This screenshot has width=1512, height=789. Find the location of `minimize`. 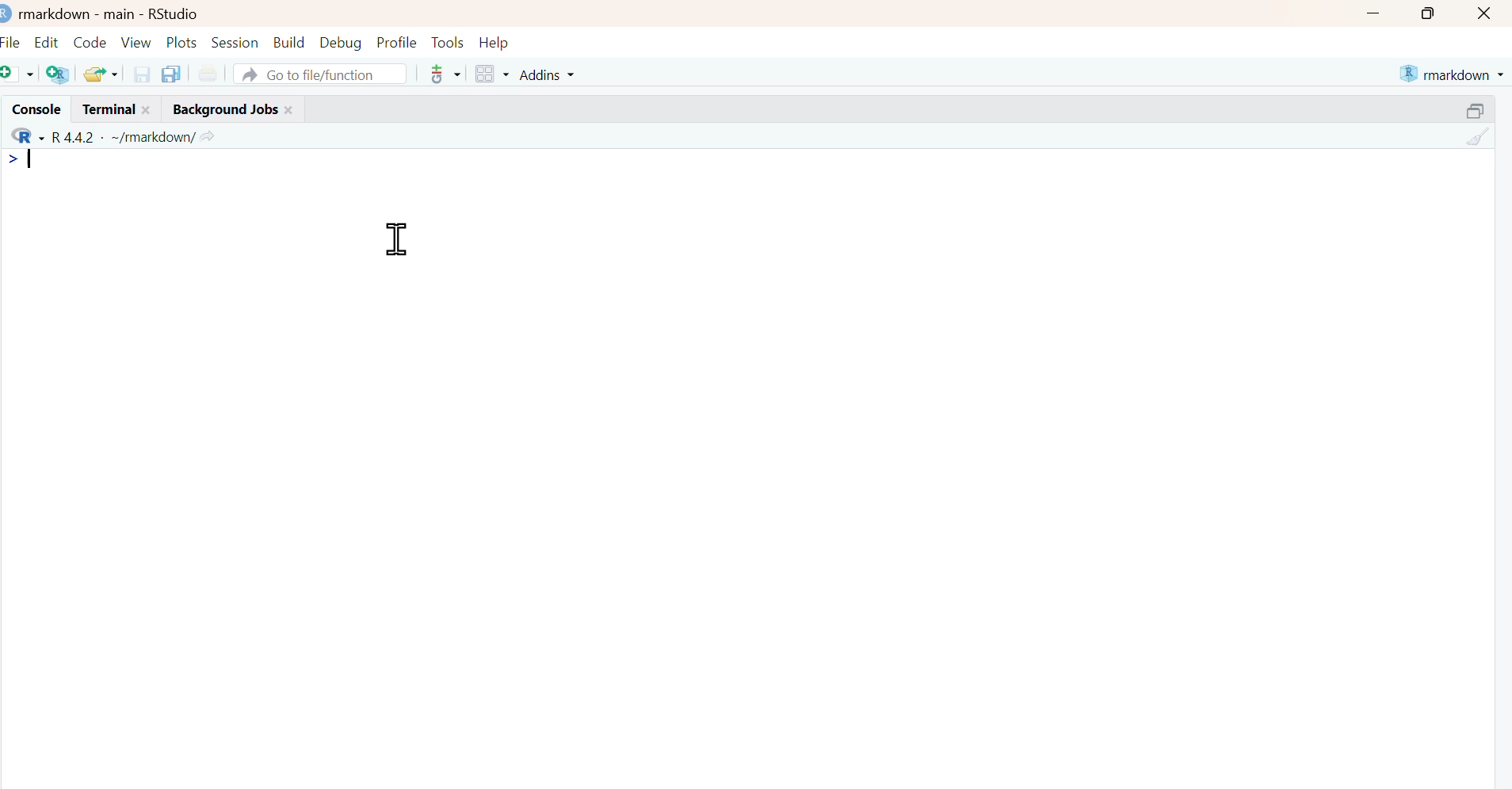

minimize is located at coordinates (1373, 13).